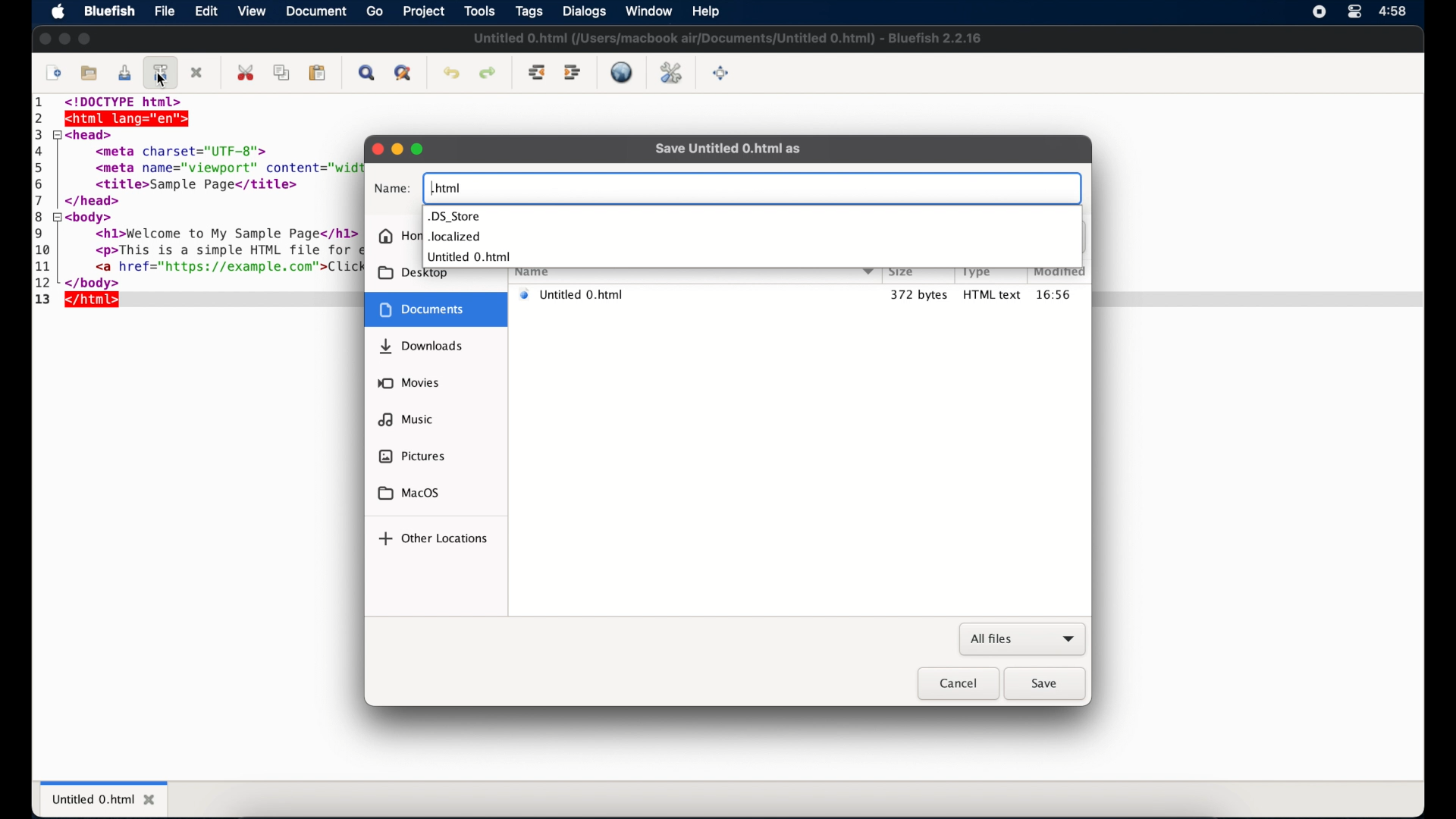  Describe the element at coordinates (434, 309) in the screenshot. I see `document` at that location.